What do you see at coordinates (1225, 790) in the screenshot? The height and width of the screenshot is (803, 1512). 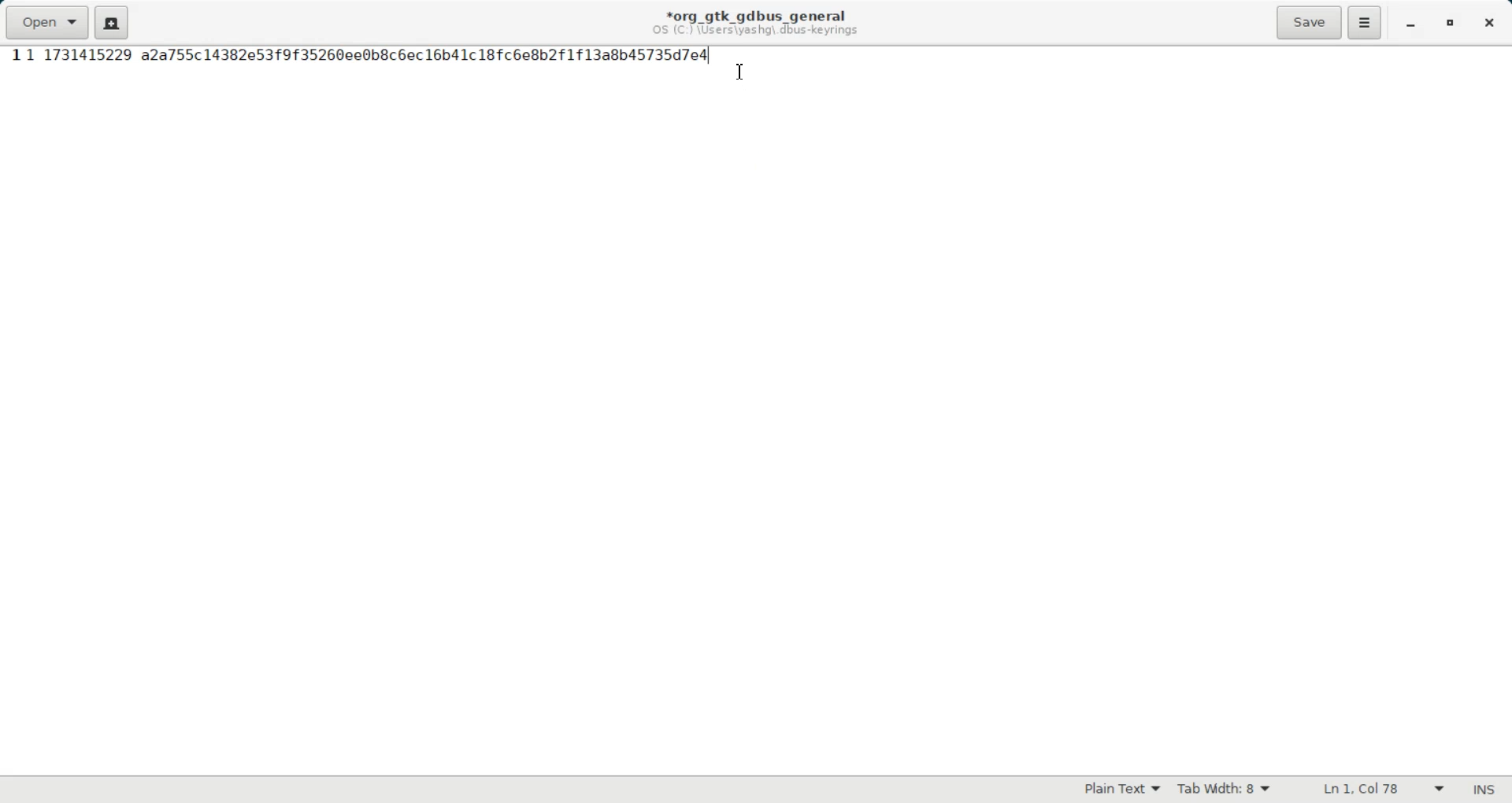 I see `Tab width` at bounding box center [1225, 790].